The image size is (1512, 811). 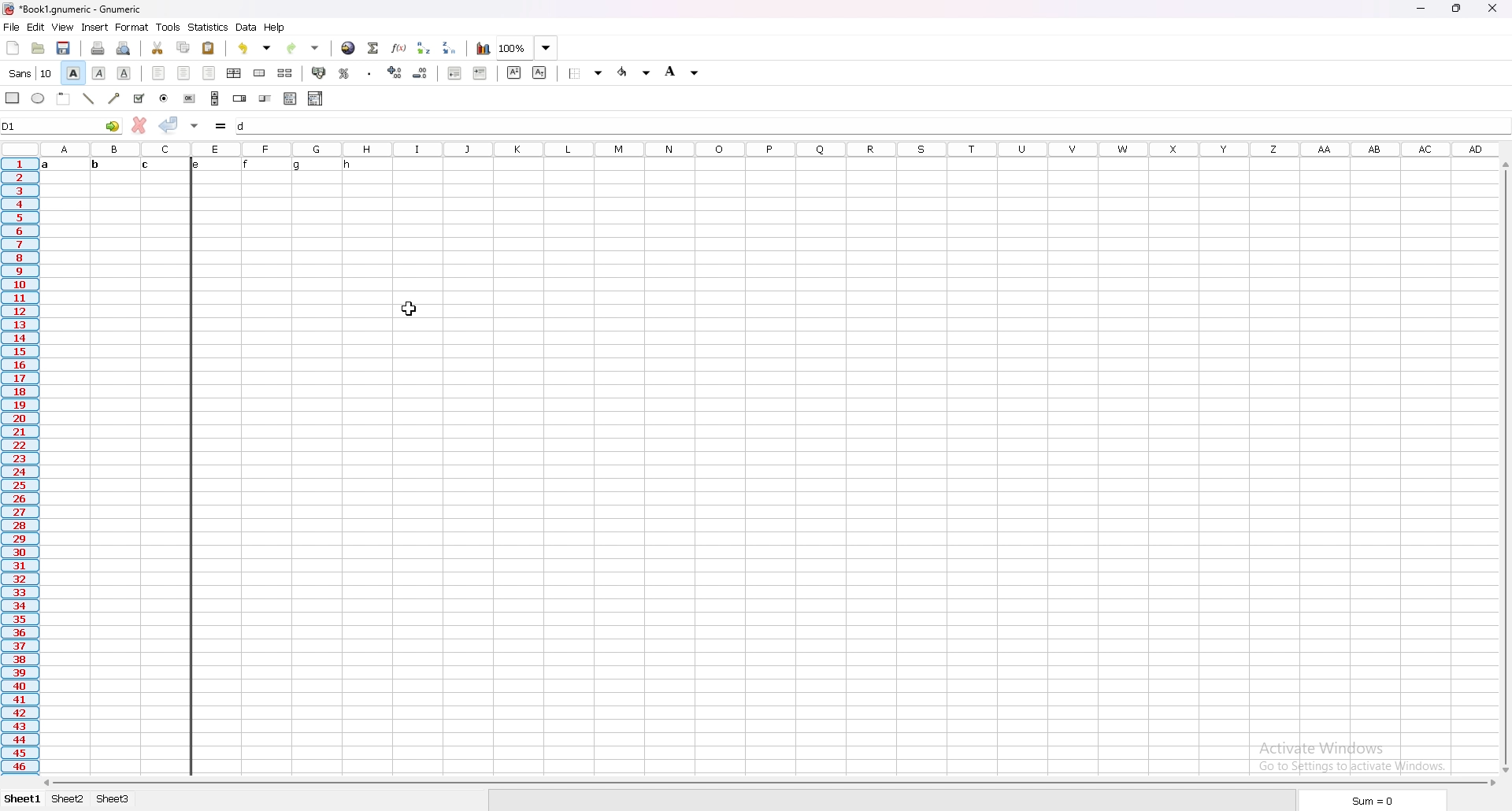 What do you see at coordinates (67, 798) in the screenshot?
I see `sheet 2` at bounding box center [67, 798].